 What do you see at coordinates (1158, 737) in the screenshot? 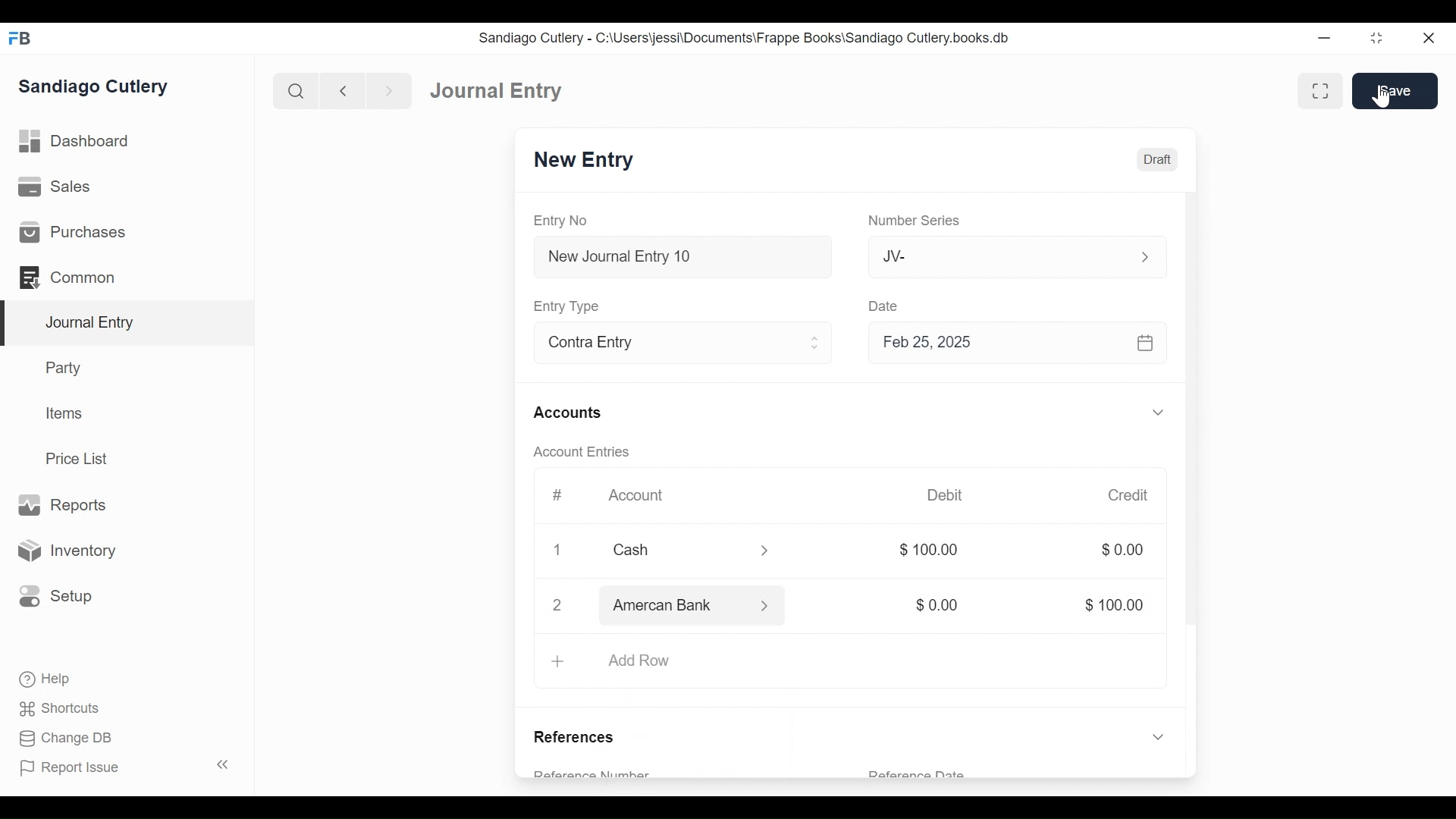
I see `Expand` at bounding box center [1158, 737].